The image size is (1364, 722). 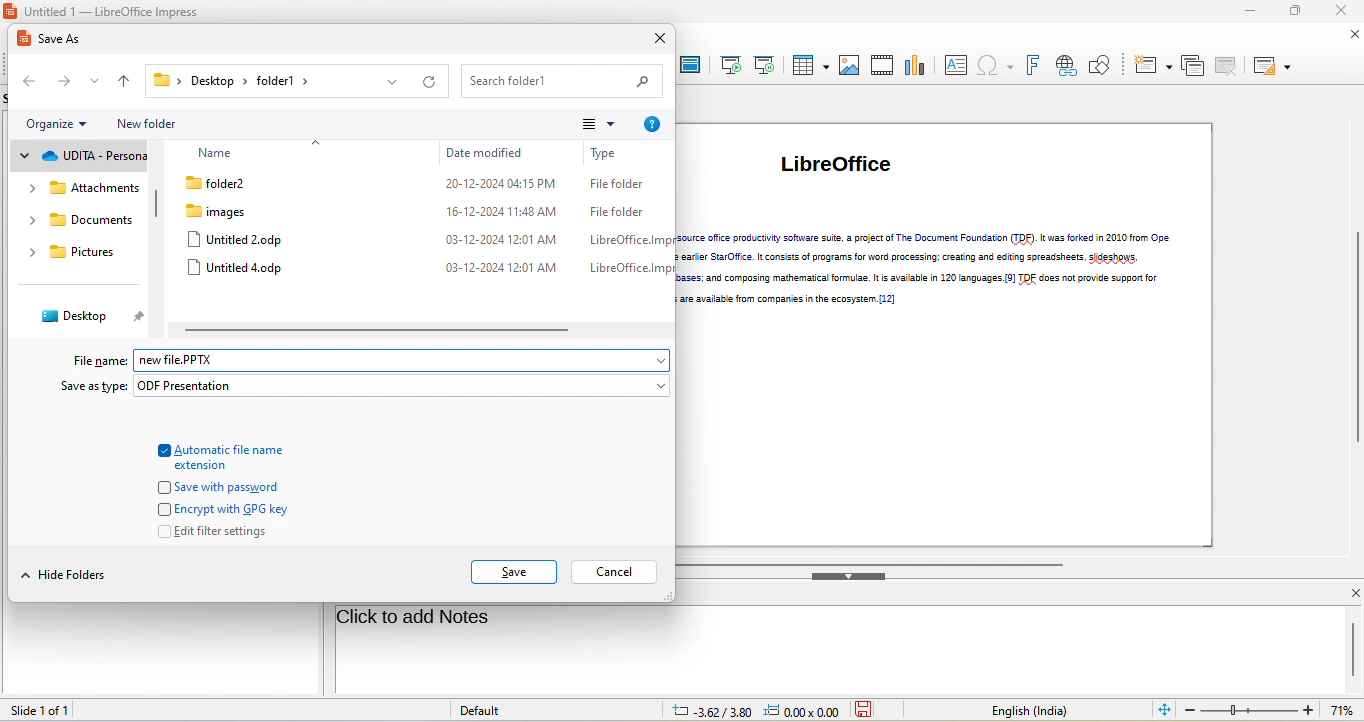 What do you see at coordinates (652, 123) in the screenshot?
I see `help` at bounding box center [652, 123].